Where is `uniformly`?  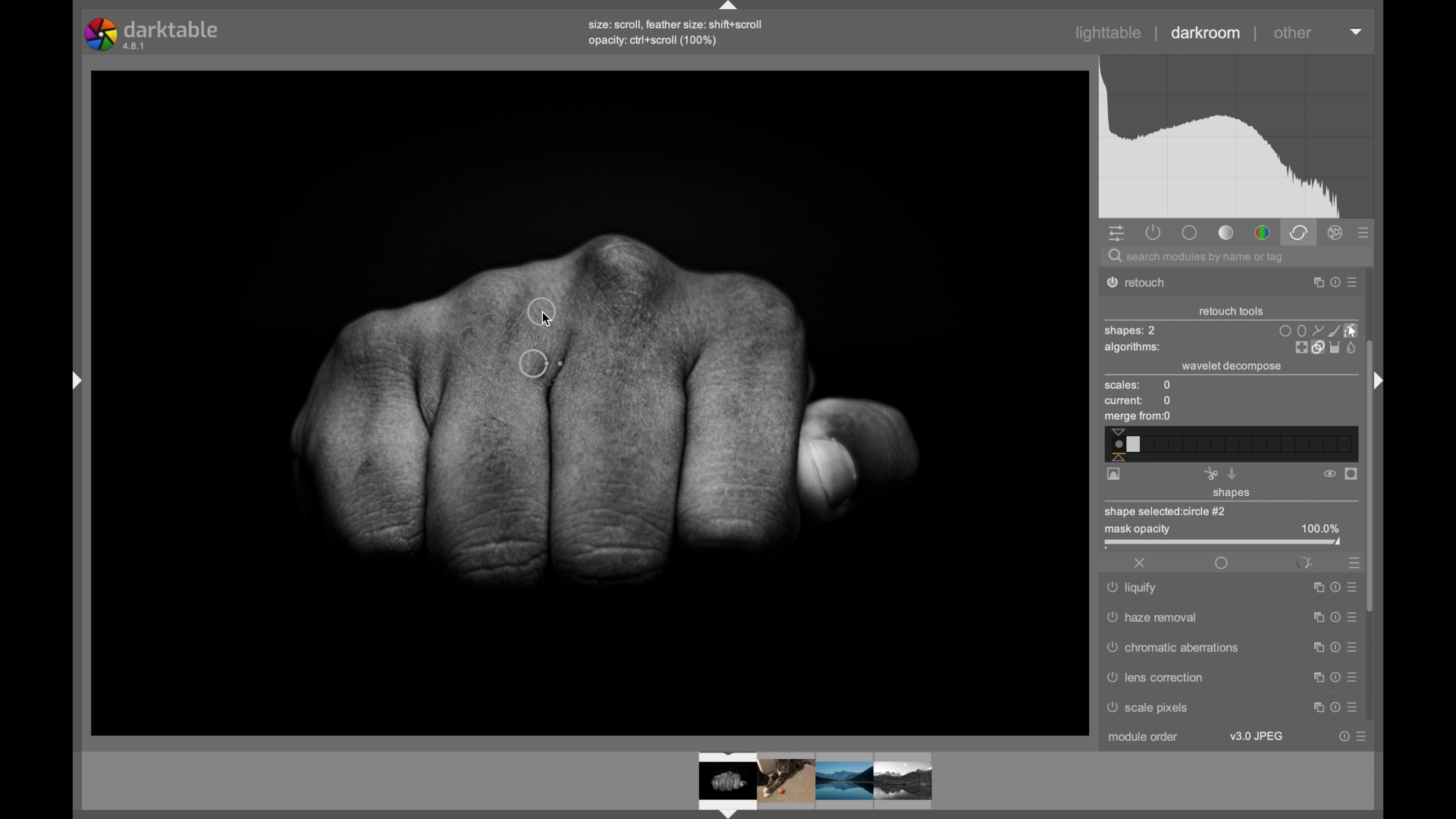 uniformly is located at coordinates (1221, 563).